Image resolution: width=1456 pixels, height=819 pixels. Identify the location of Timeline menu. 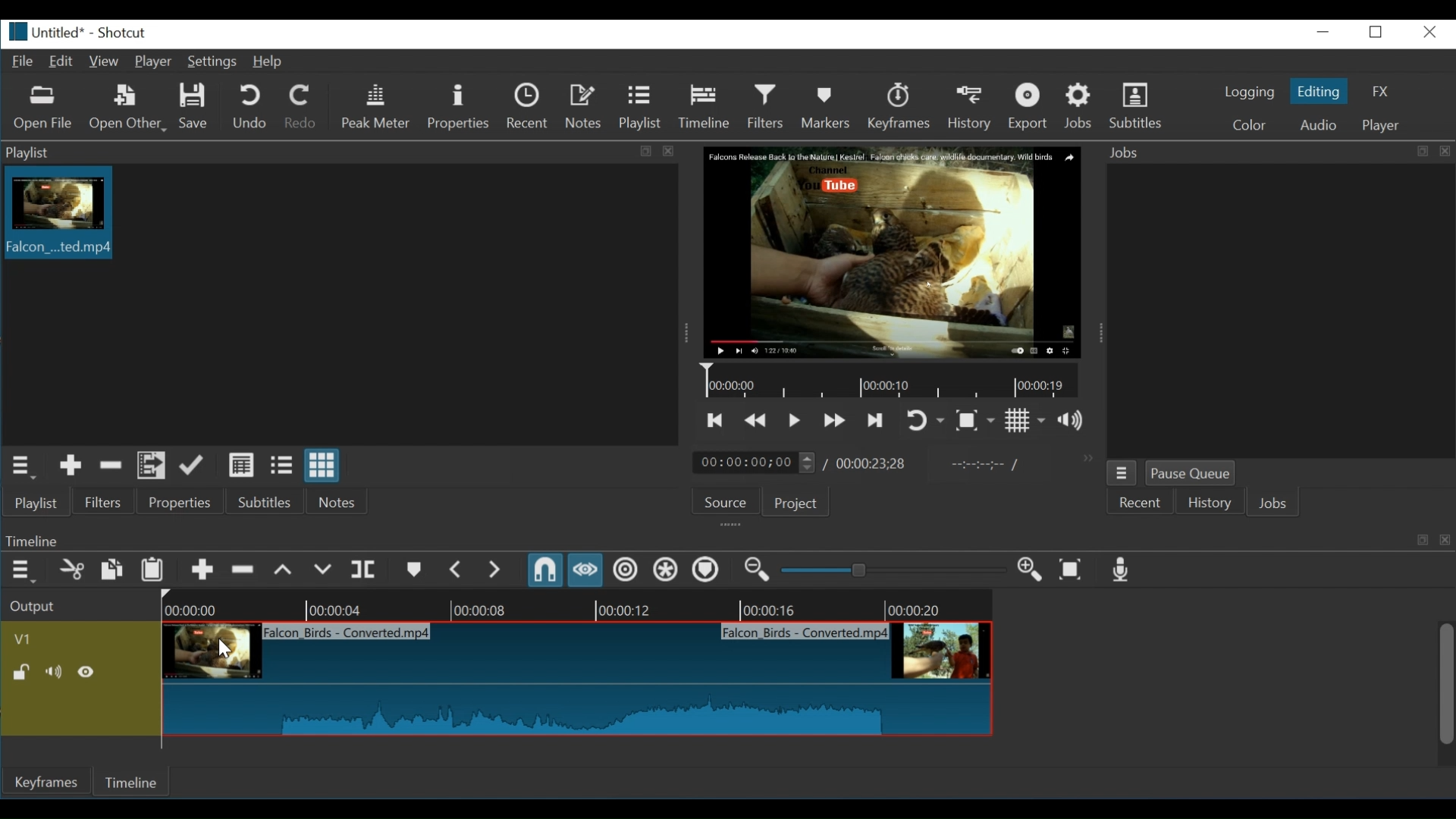
(24, 571).